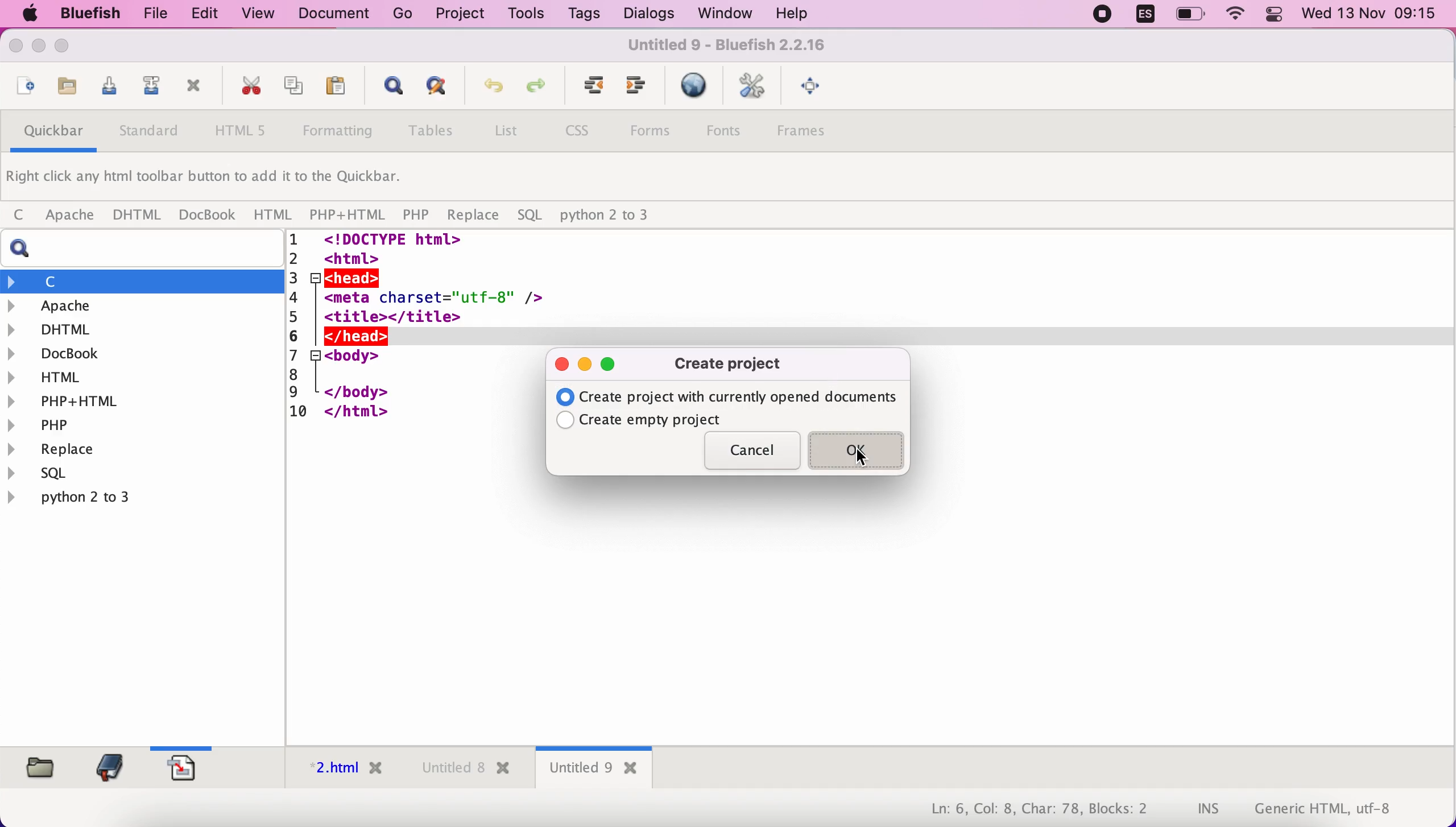 This screenshot has height=827, width=1456. What do you see at coordinates (584, 16) in the screenshot?
I see `tags` at bounding box center [584, 16].